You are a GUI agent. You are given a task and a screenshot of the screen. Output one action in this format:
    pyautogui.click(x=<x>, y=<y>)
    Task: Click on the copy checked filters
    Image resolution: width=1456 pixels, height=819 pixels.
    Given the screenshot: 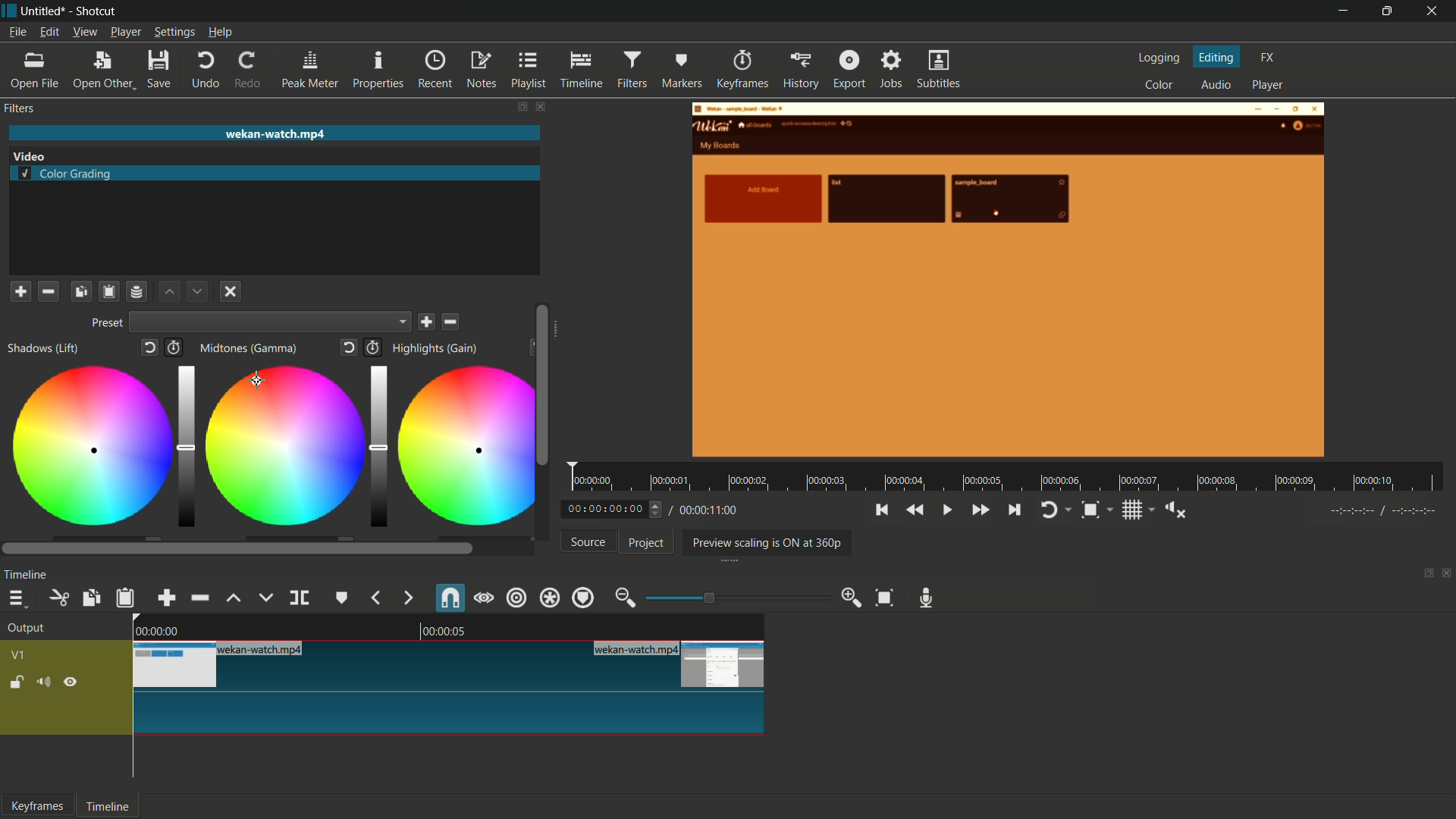 What is the action you would take?
    pyautogui.click(x=80, y=293)
    